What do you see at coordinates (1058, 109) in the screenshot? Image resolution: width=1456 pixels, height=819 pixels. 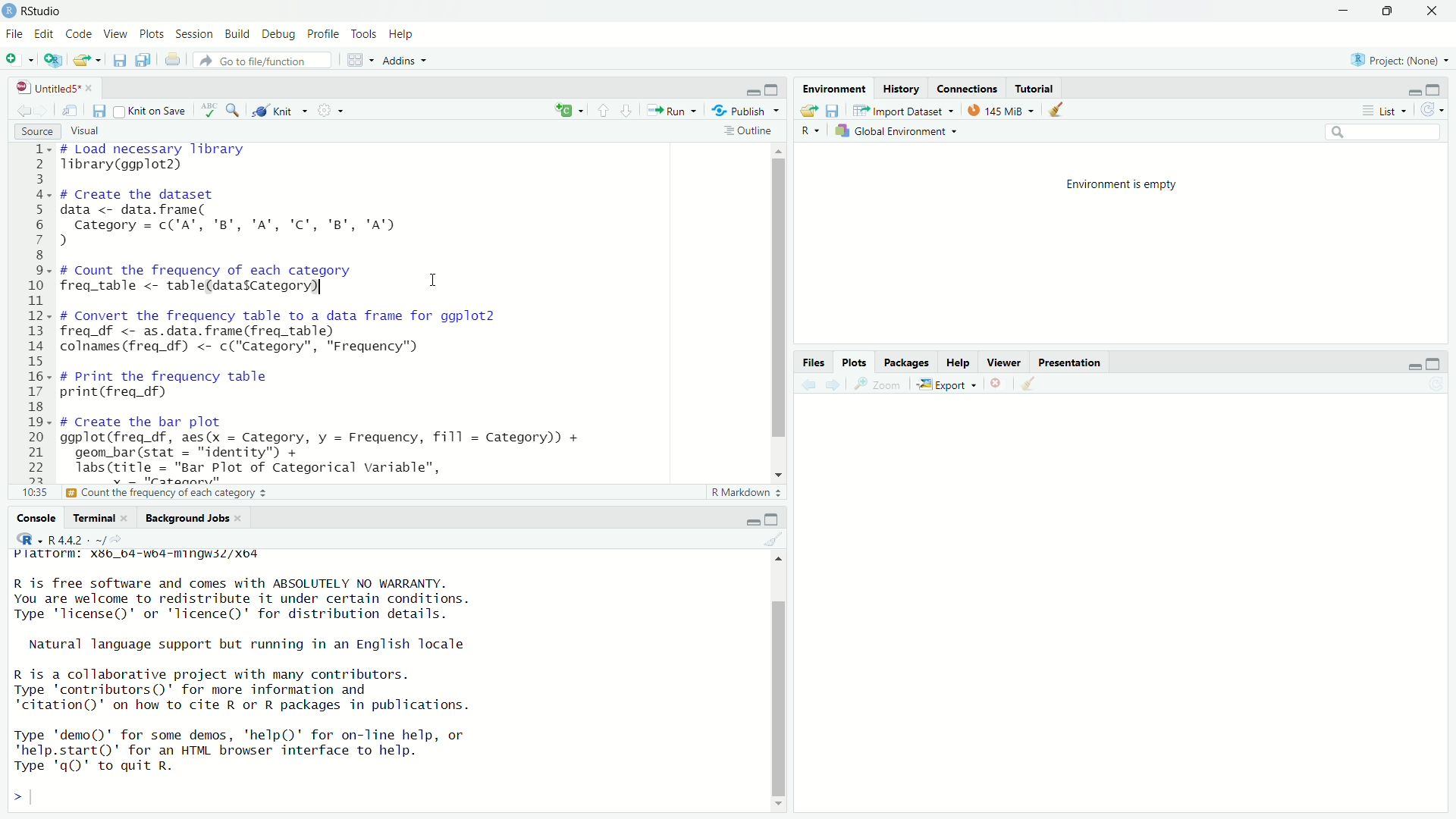 I see `clear data` at bounding box center [1058, 109].